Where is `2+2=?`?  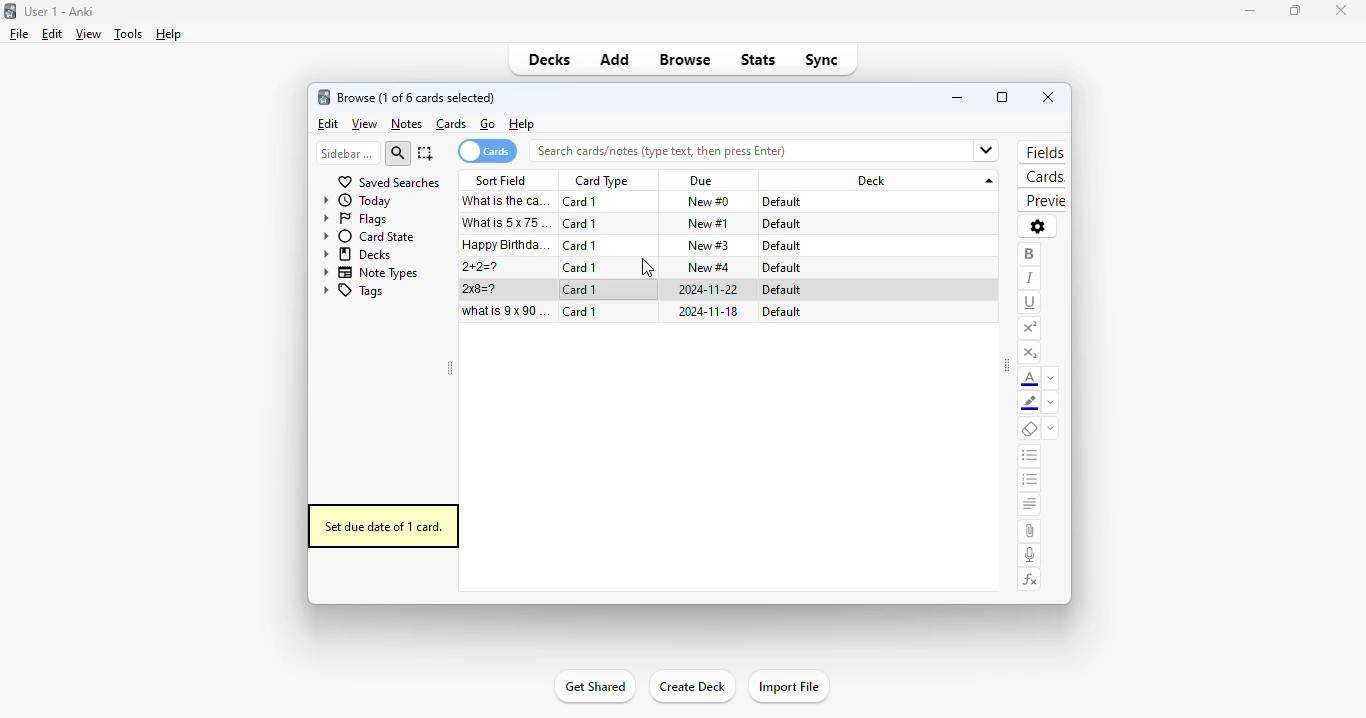 2+2=? is located at coordinates (482, 267).